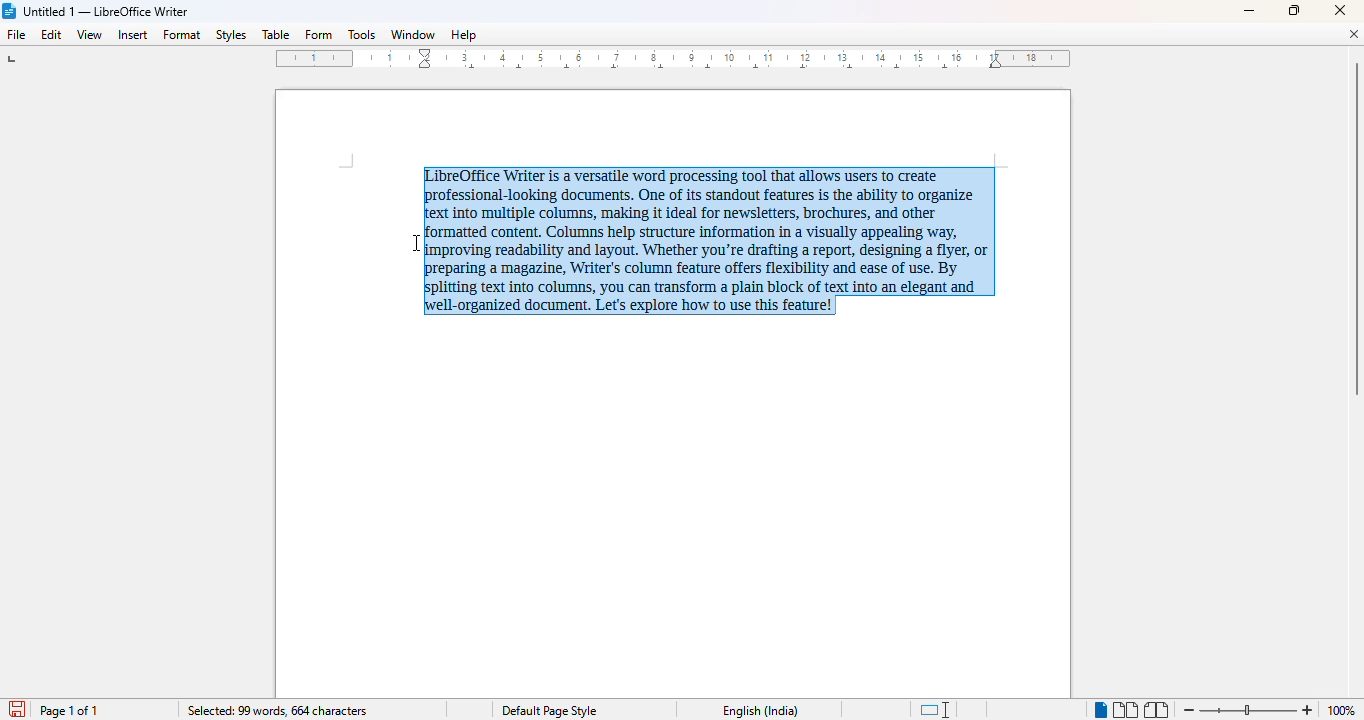  Describe the element at coordinates (275, 34) in the screenshot. I see `table` at that location.